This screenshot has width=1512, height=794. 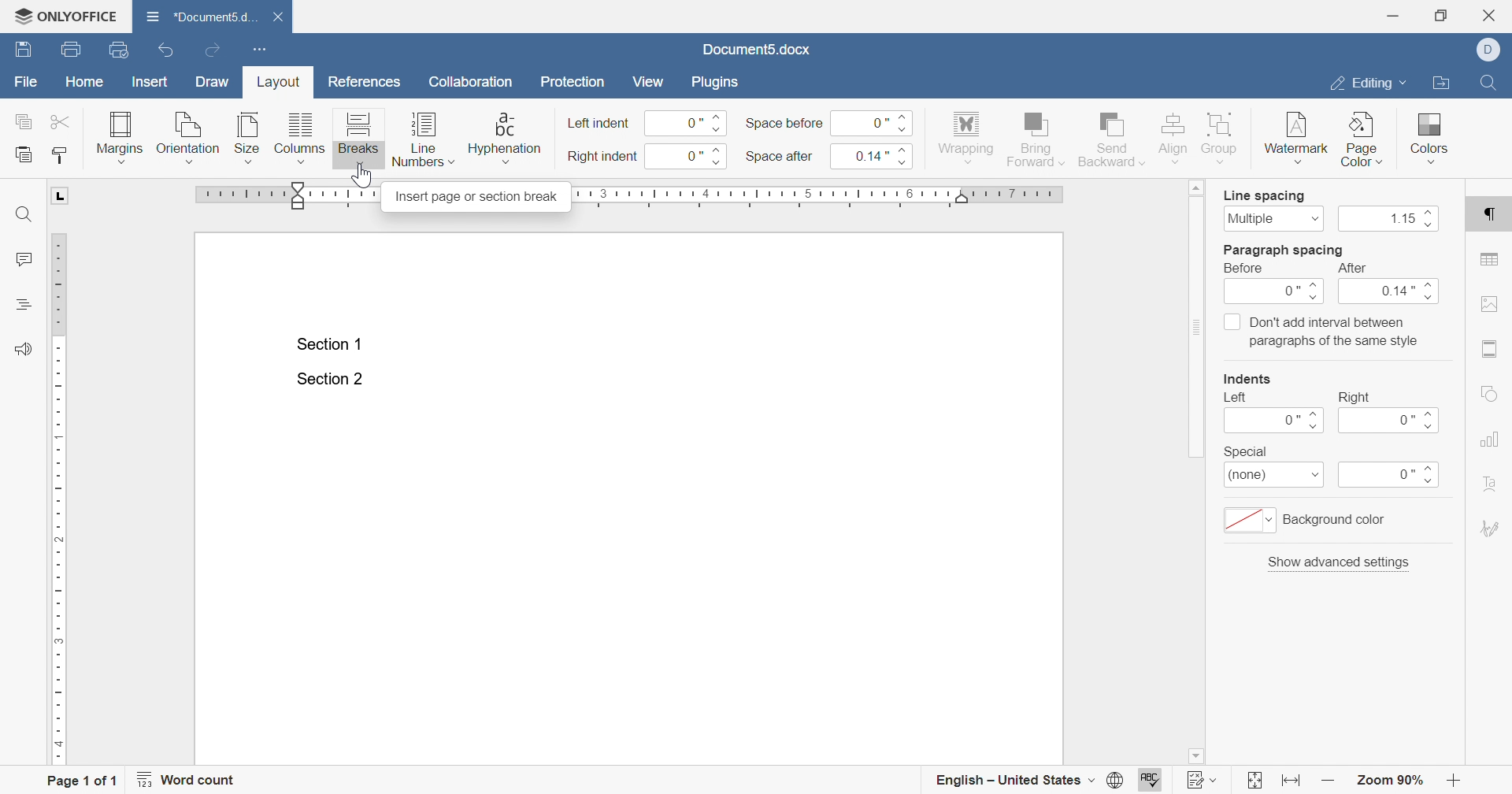 I want to click on special, so click(x=1245, y=451).